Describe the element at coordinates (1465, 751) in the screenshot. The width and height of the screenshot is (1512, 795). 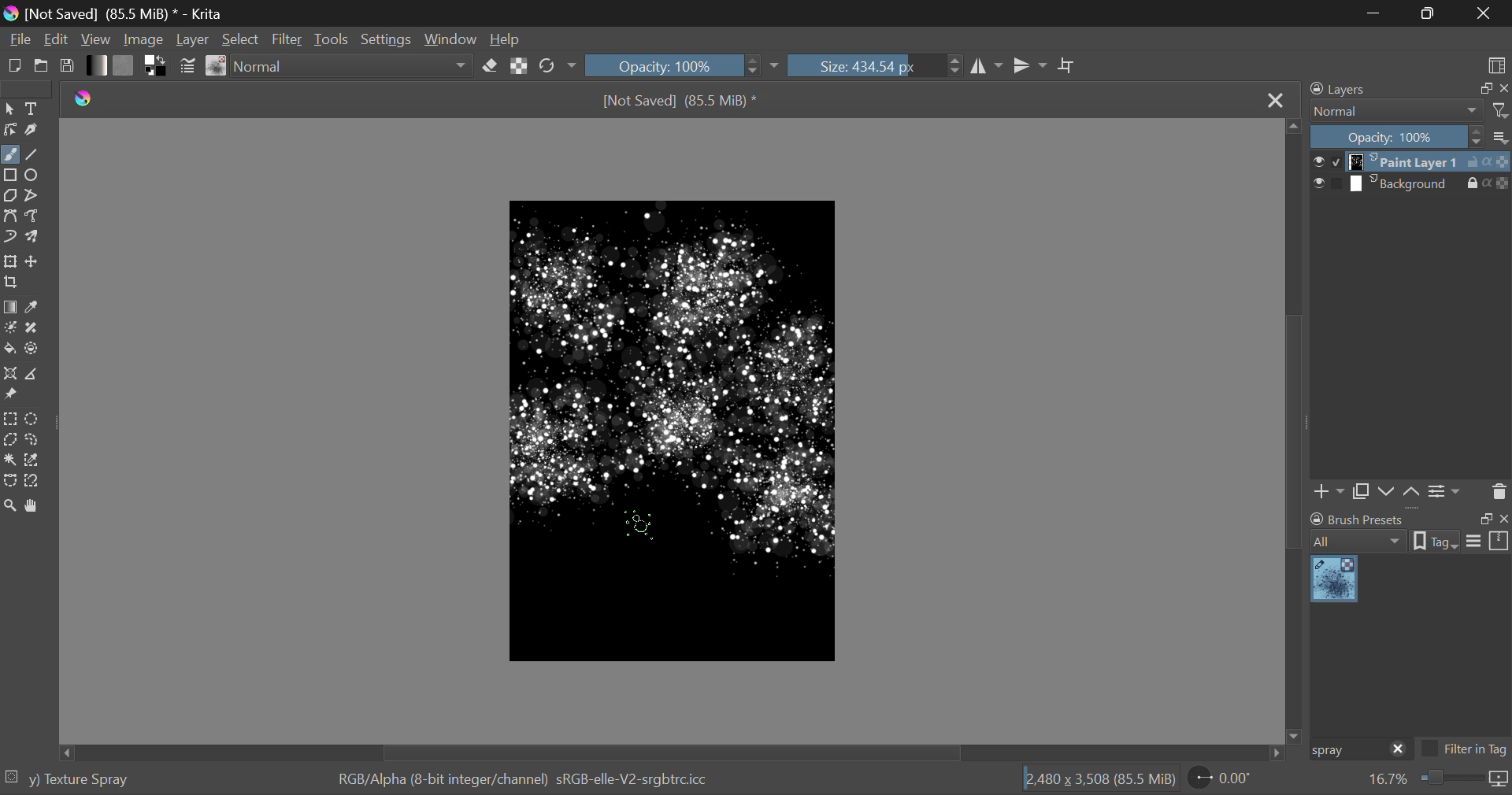
I see `Filter in Tag` at that location.